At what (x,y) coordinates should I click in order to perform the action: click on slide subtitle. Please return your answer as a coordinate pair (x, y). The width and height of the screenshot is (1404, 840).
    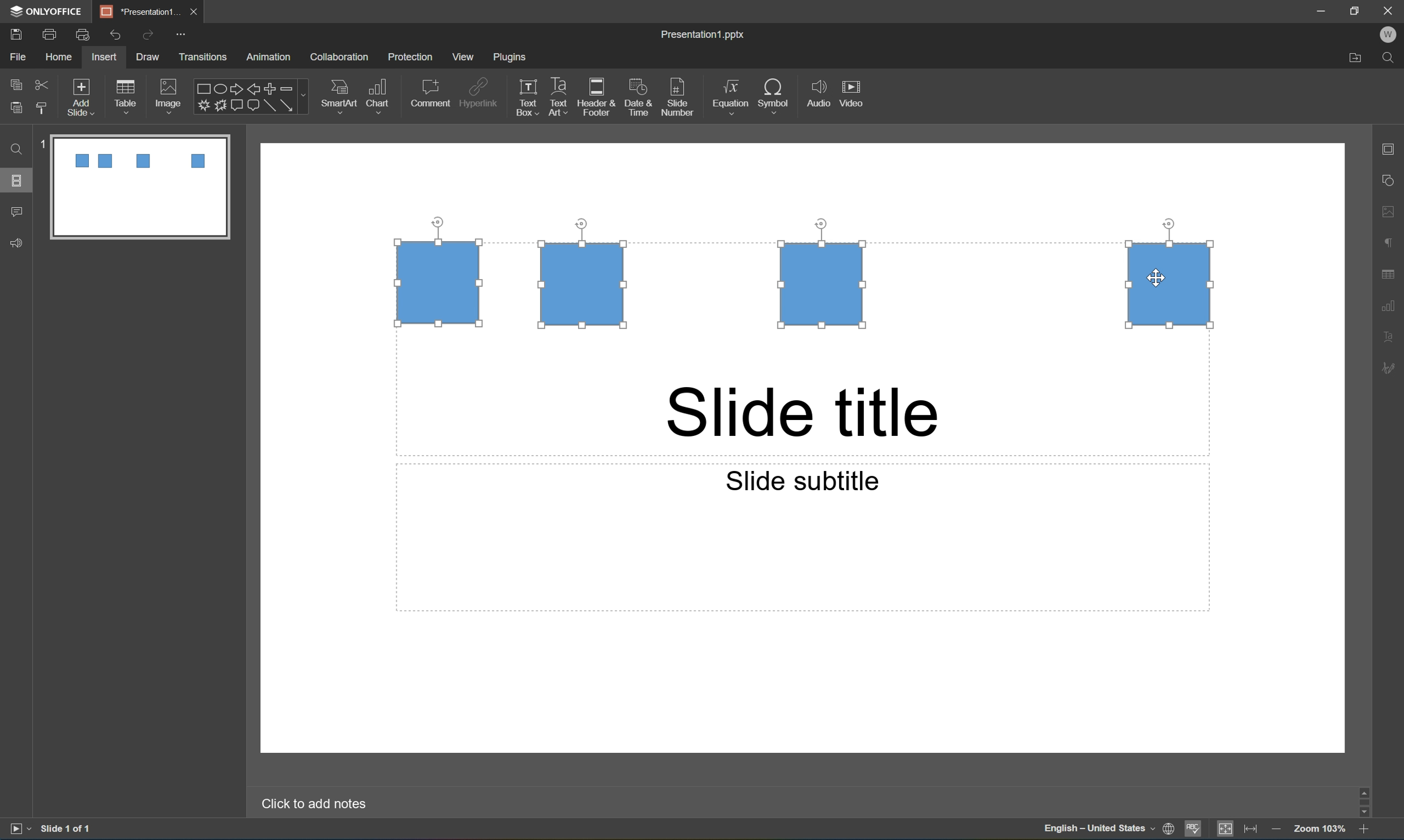
    Looking at the image, I should click on (801, 480).